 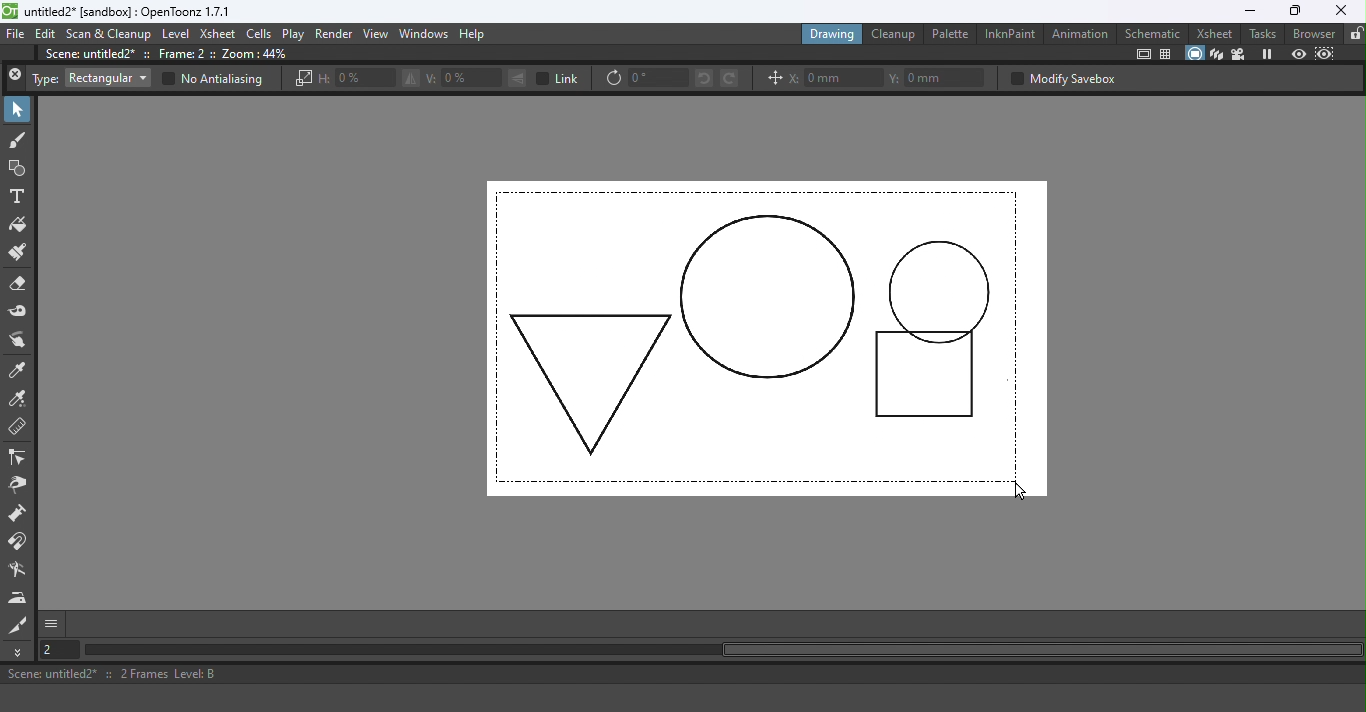 What do you see at coordinates (767, 338) in the screenshot?
I see `Canvas` at bounding box center [767, 338].